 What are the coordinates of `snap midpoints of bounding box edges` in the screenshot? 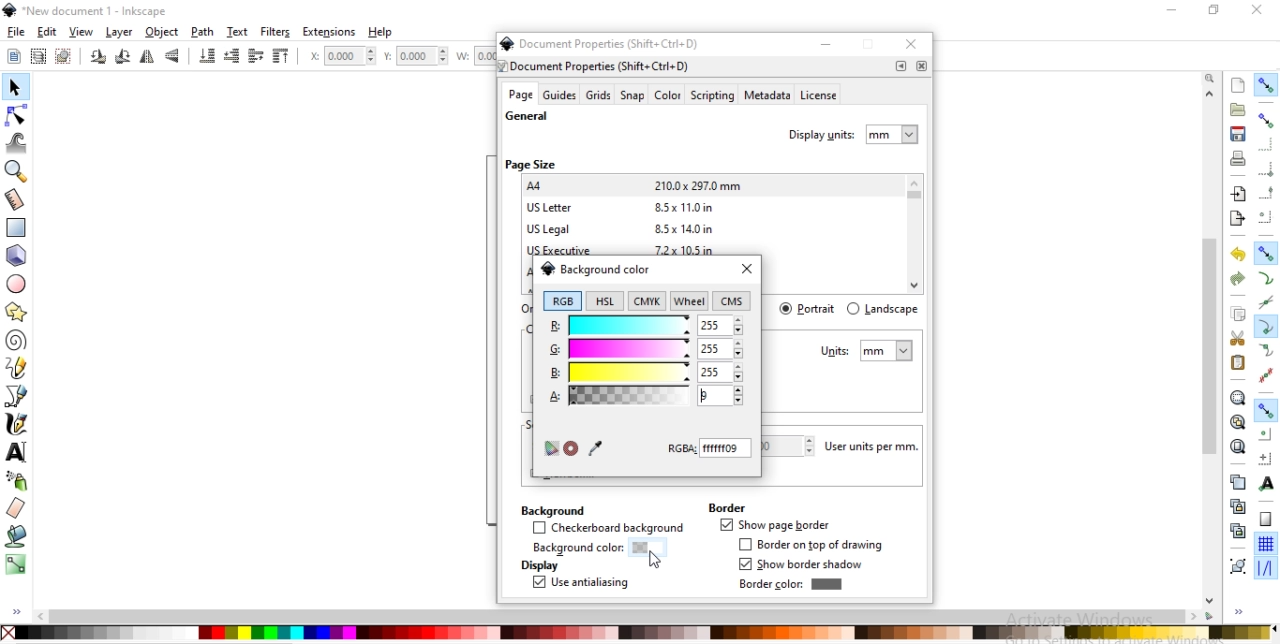 It's located at (1267, 193).